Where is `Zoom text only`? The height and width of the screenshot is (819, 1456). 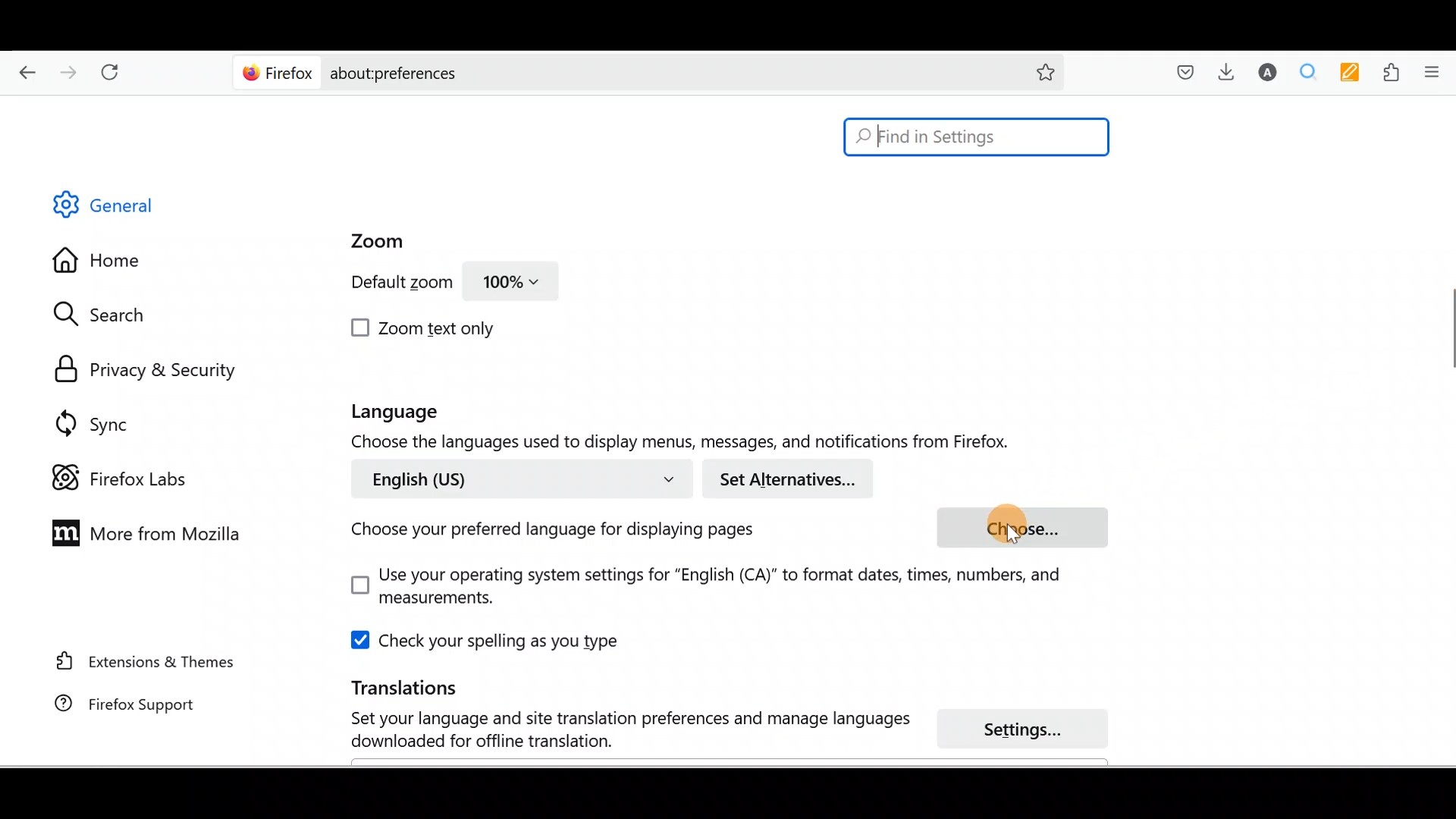 Zoom text only is located at coordinates (425, 328).